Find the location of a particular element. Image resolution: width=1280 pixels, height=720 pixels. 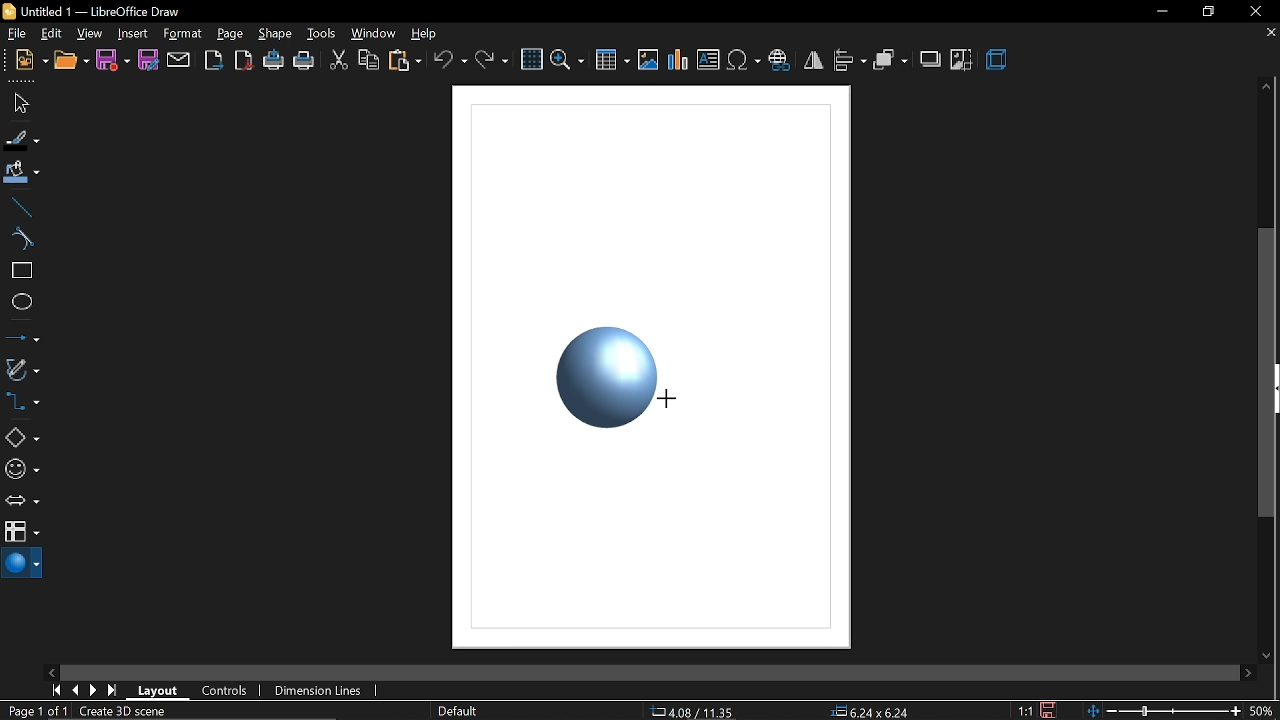

arrange is located at coordinates (891, 60).